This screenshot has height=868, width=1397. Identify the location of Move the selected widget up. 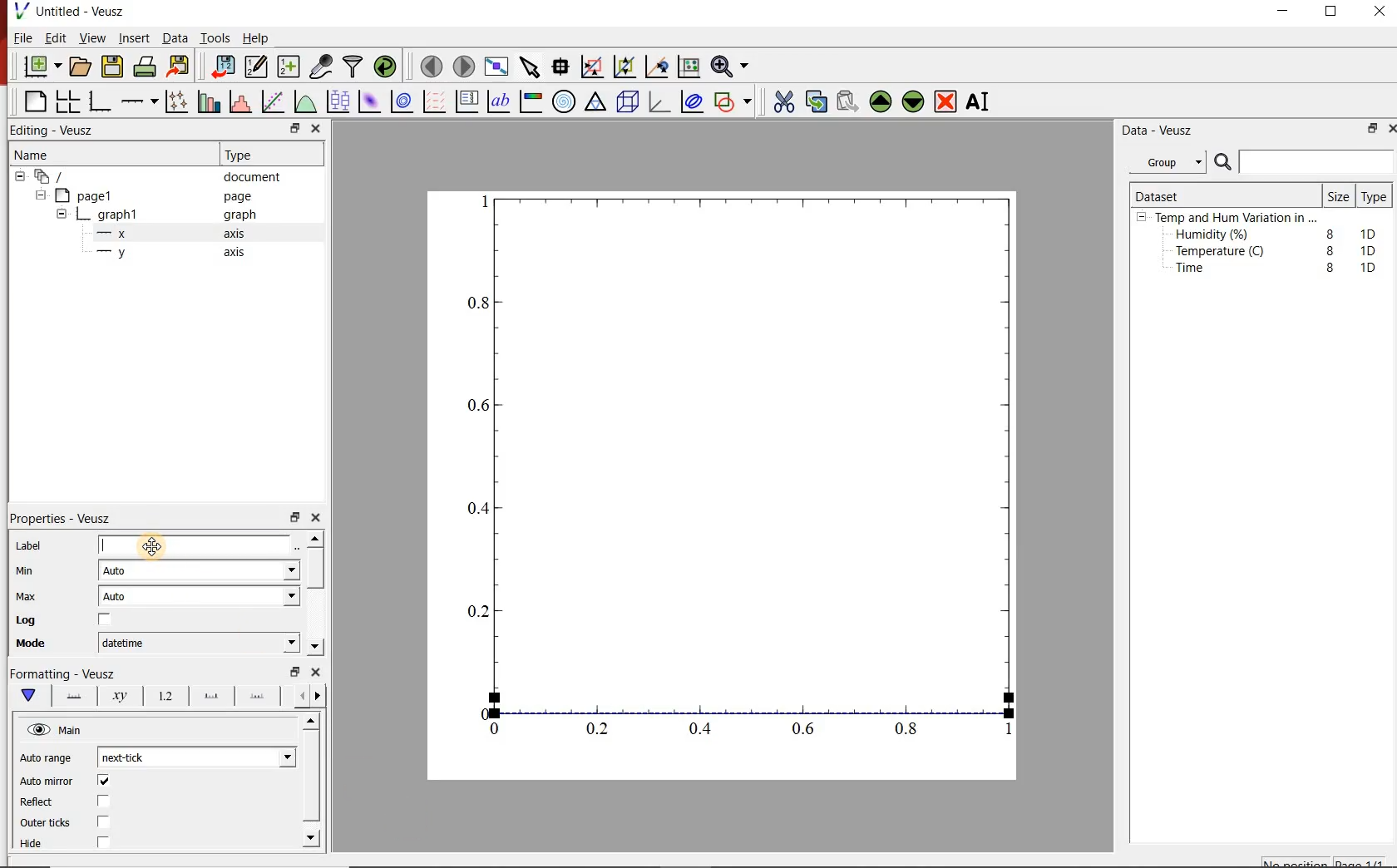
(881, 100).